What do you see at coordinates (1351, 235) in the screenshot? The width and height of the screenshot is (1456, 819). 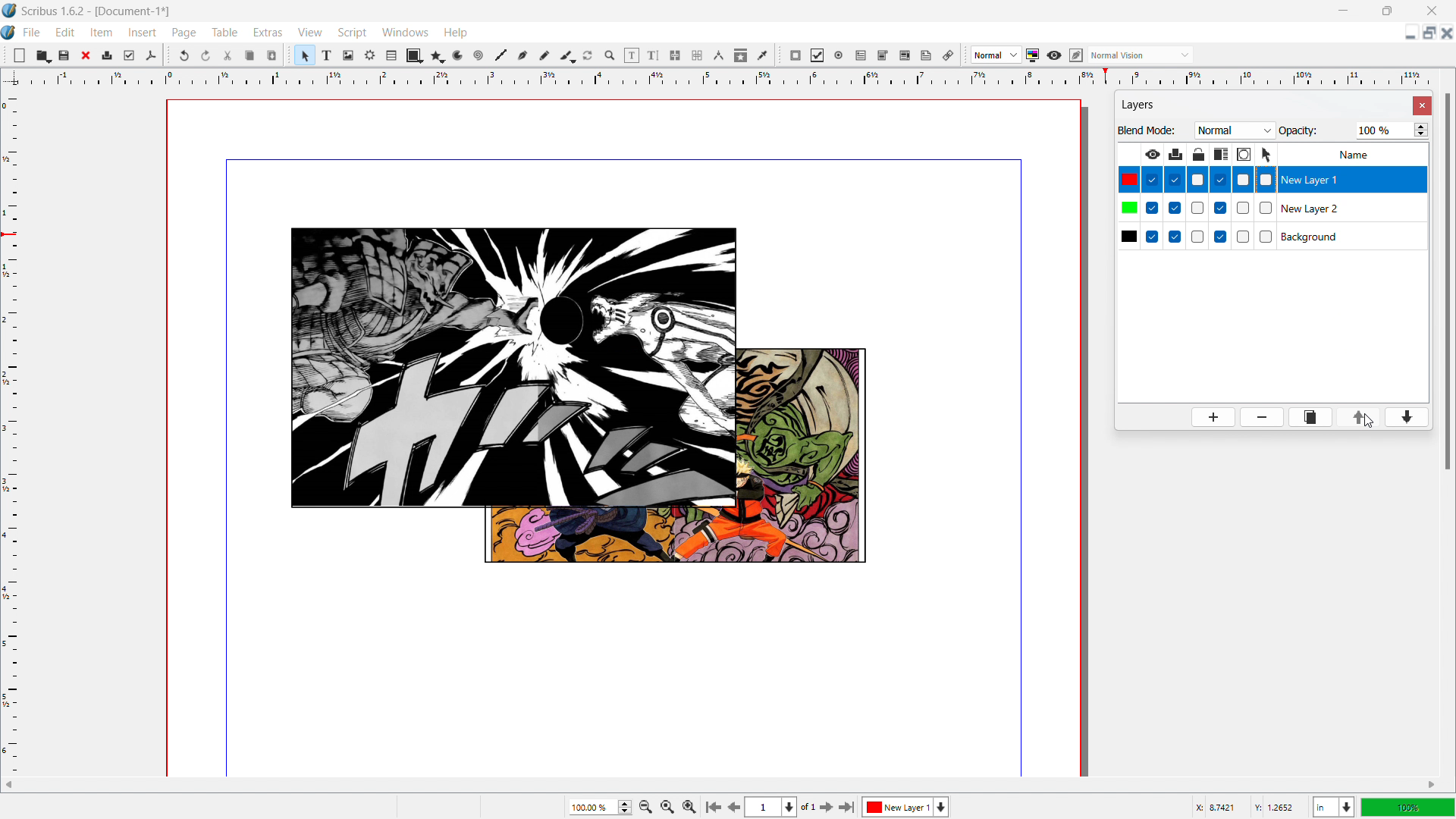 I see `background` at bounding box center [1351, 235].